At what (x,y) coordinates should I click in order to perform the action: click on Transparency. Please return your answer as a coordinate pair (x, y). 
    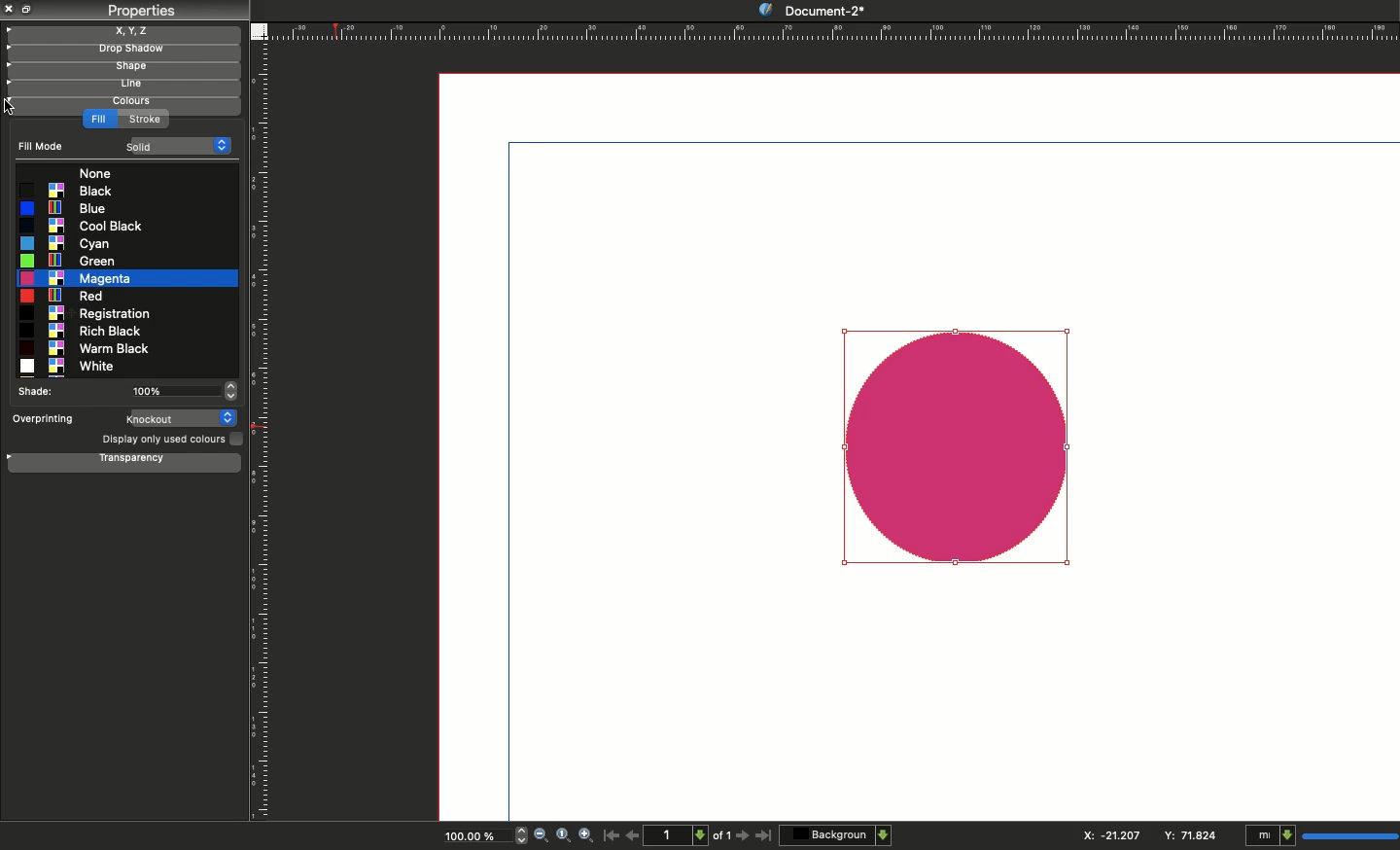
    Looking at the image, I should click on (120, 465).